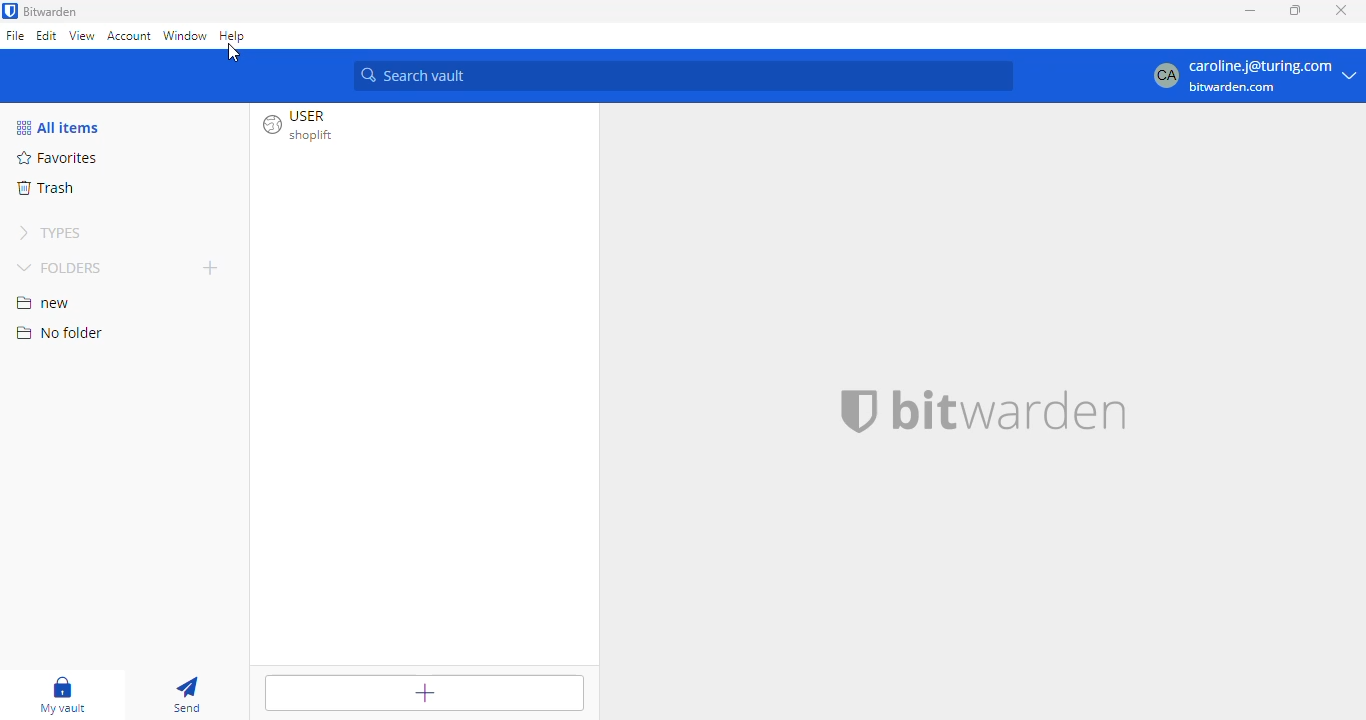  I want to click on all items, so click(57, 127).